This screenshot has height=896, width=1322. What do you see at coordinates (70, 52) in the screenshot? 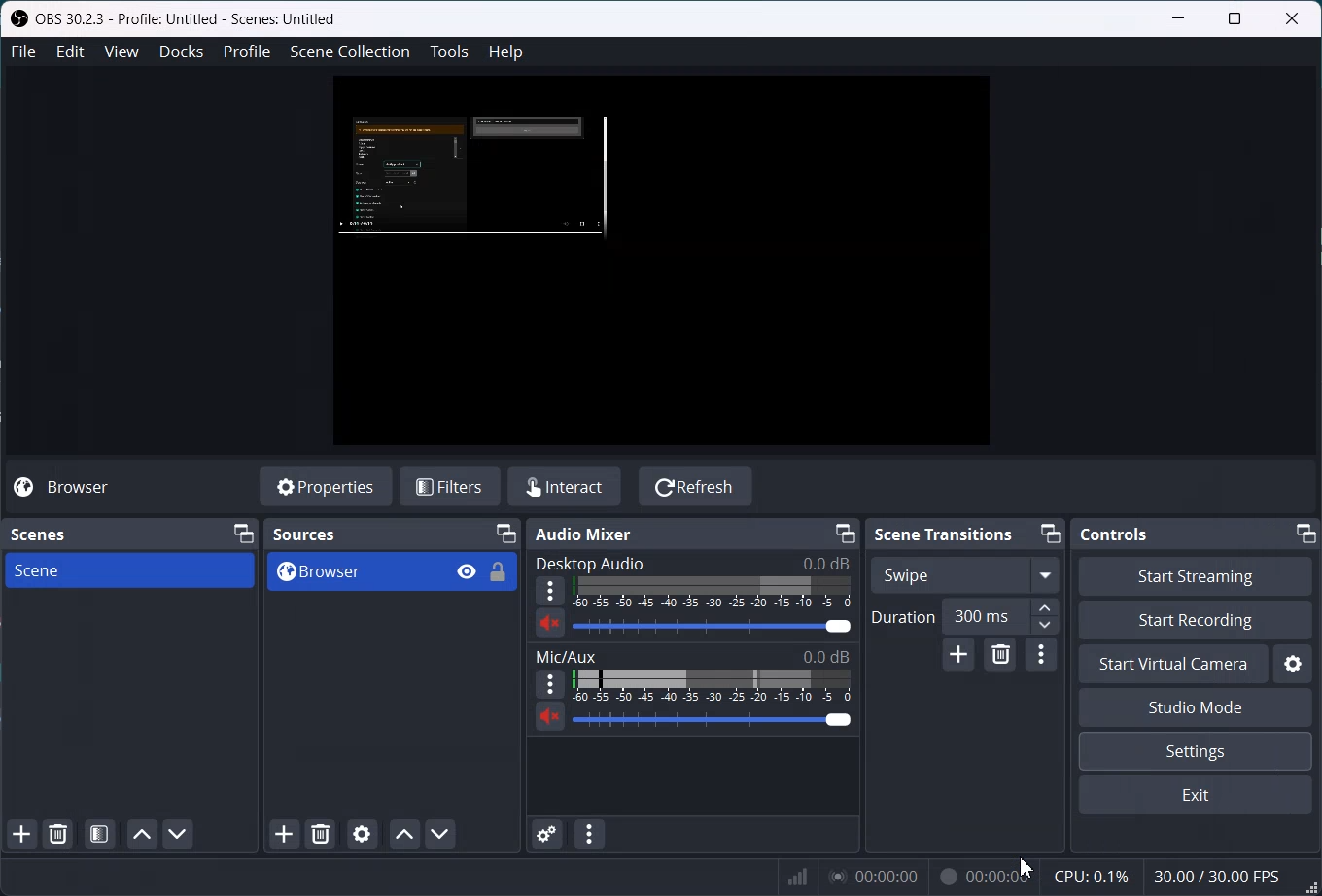
I see `Edit` at bounding box center [70, 52].